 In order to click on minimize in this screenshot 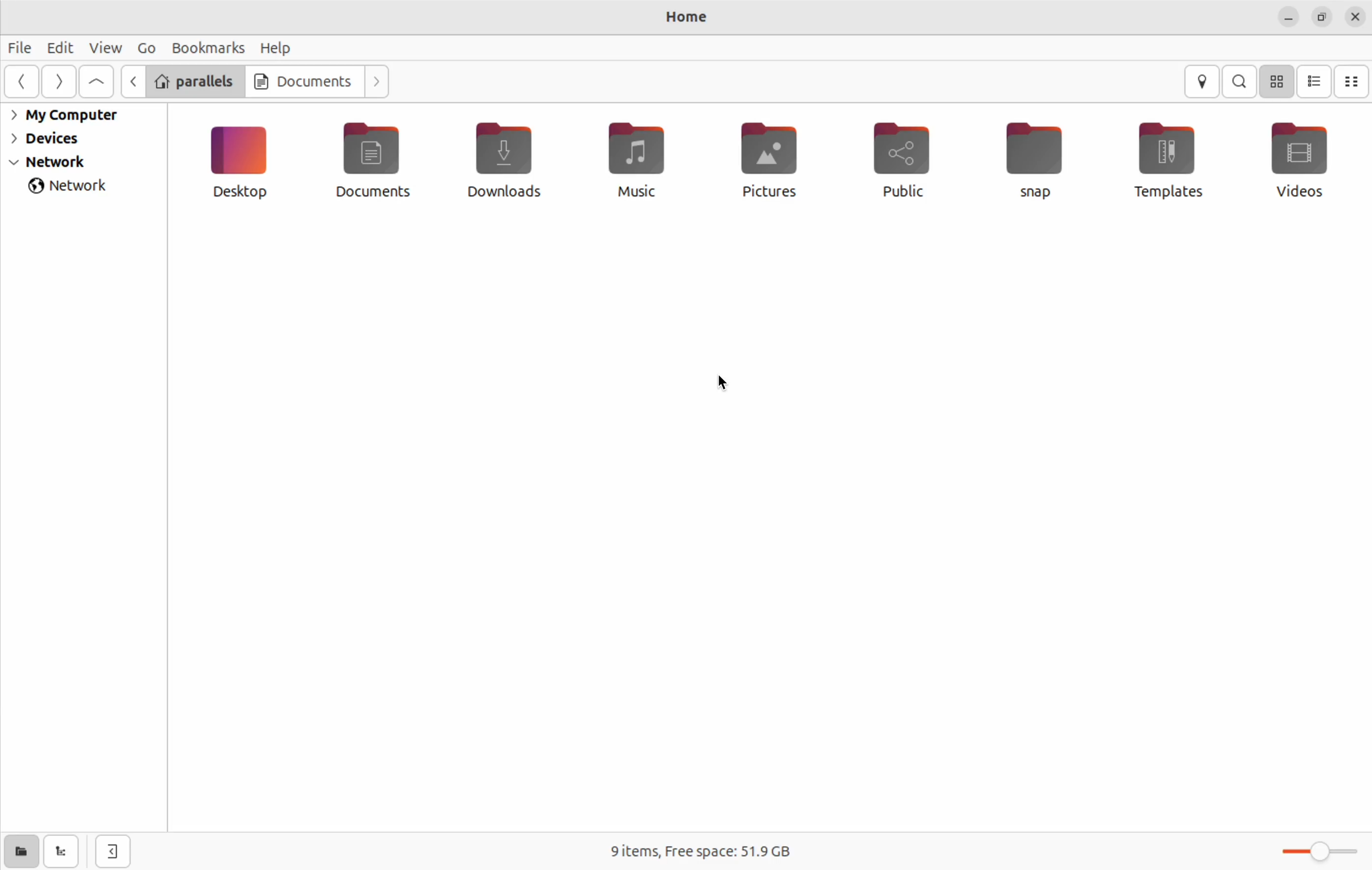, I will do `click(1290, 18)`.